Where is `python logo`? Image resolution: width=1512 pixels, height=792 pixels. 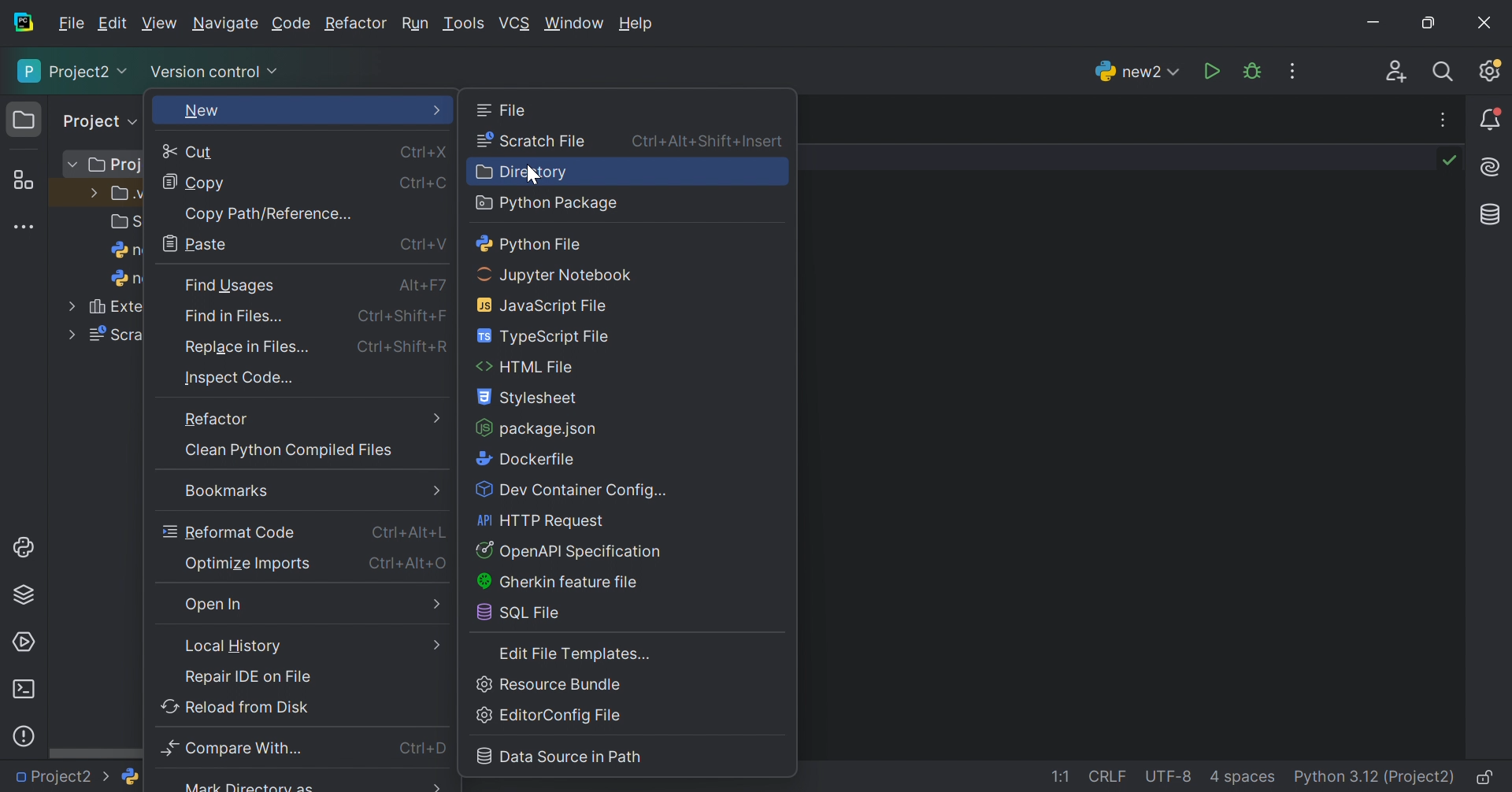
python logo is located at coordinates (131, 778).